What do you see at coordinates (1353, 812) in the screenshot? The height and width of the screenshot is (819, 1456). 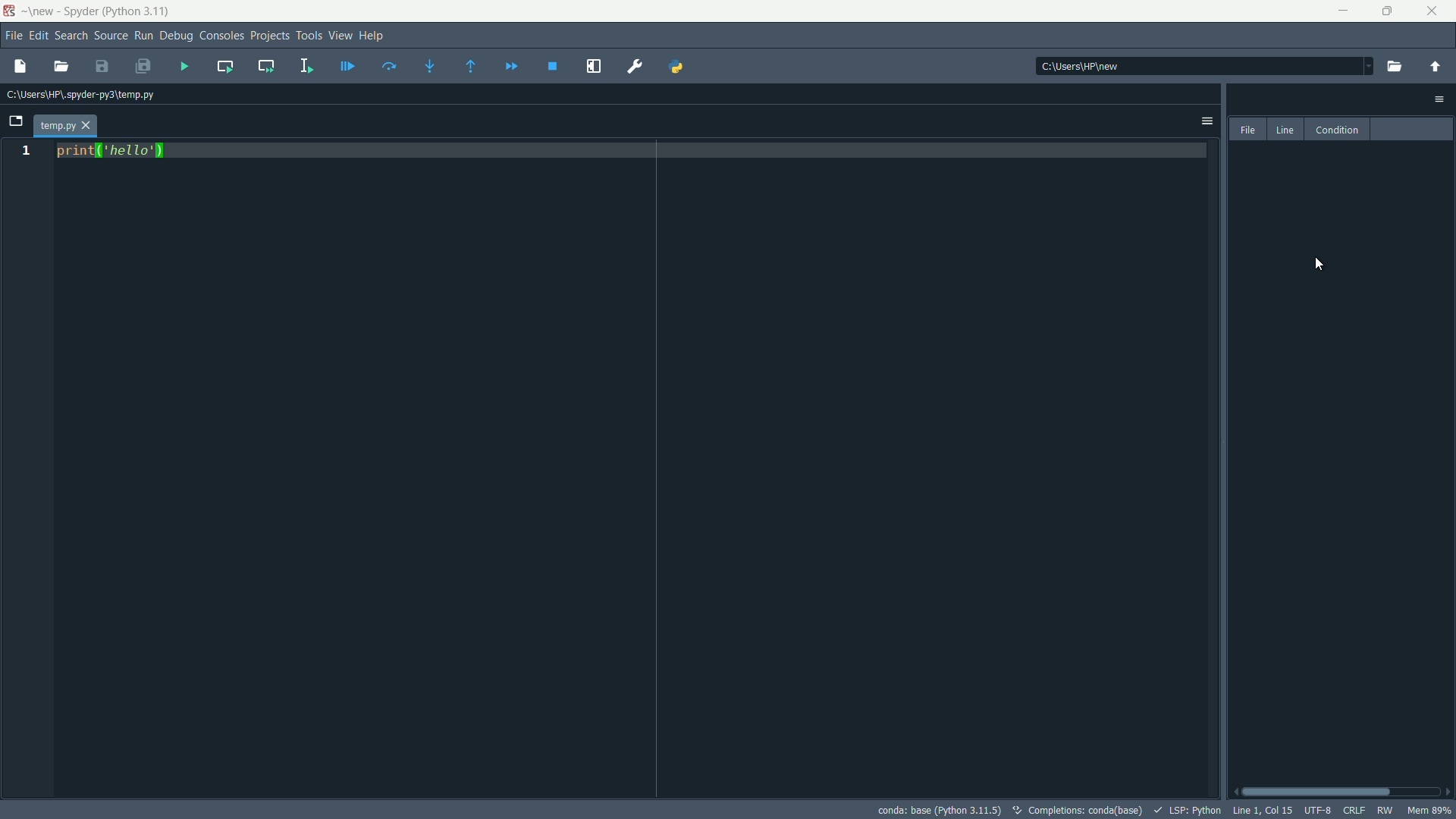 I see `file eol status` at bounding box center [1353, 812].